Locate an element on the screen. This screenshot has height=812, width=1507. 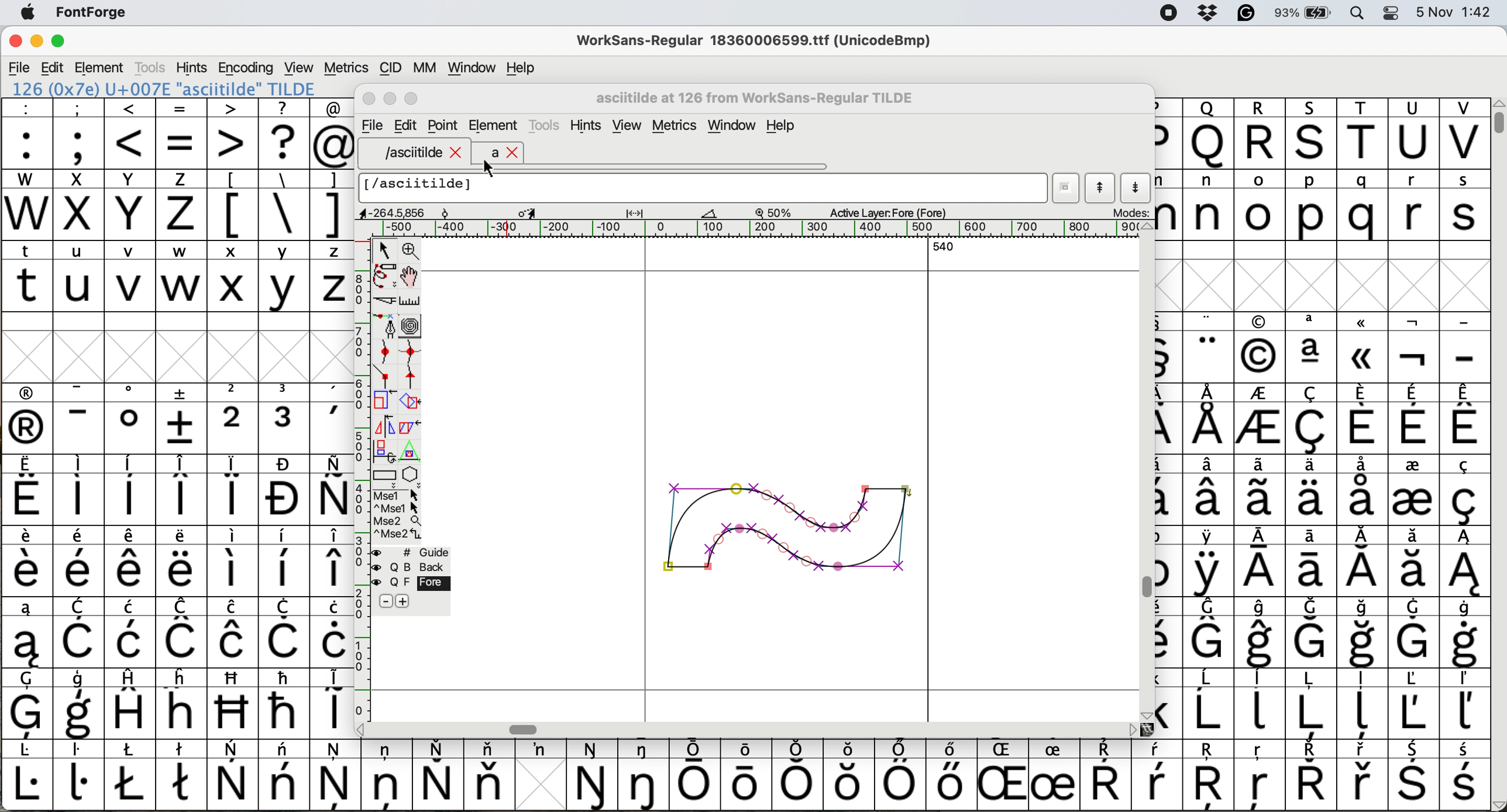
symbol is located at coordinates (540, 749).